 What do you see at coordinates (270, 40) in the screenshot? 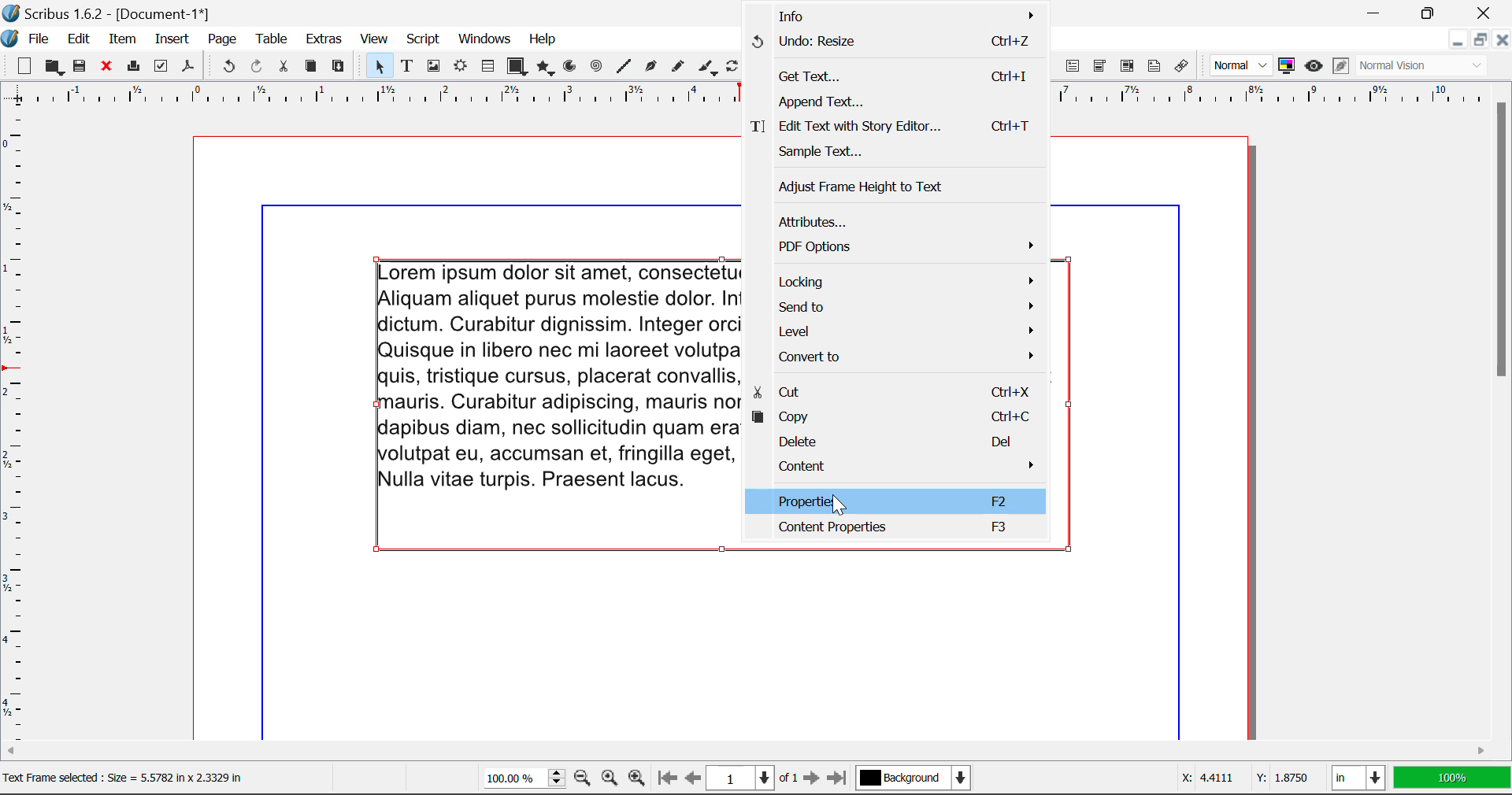
I see `Table` at bounding box center [270, 40].